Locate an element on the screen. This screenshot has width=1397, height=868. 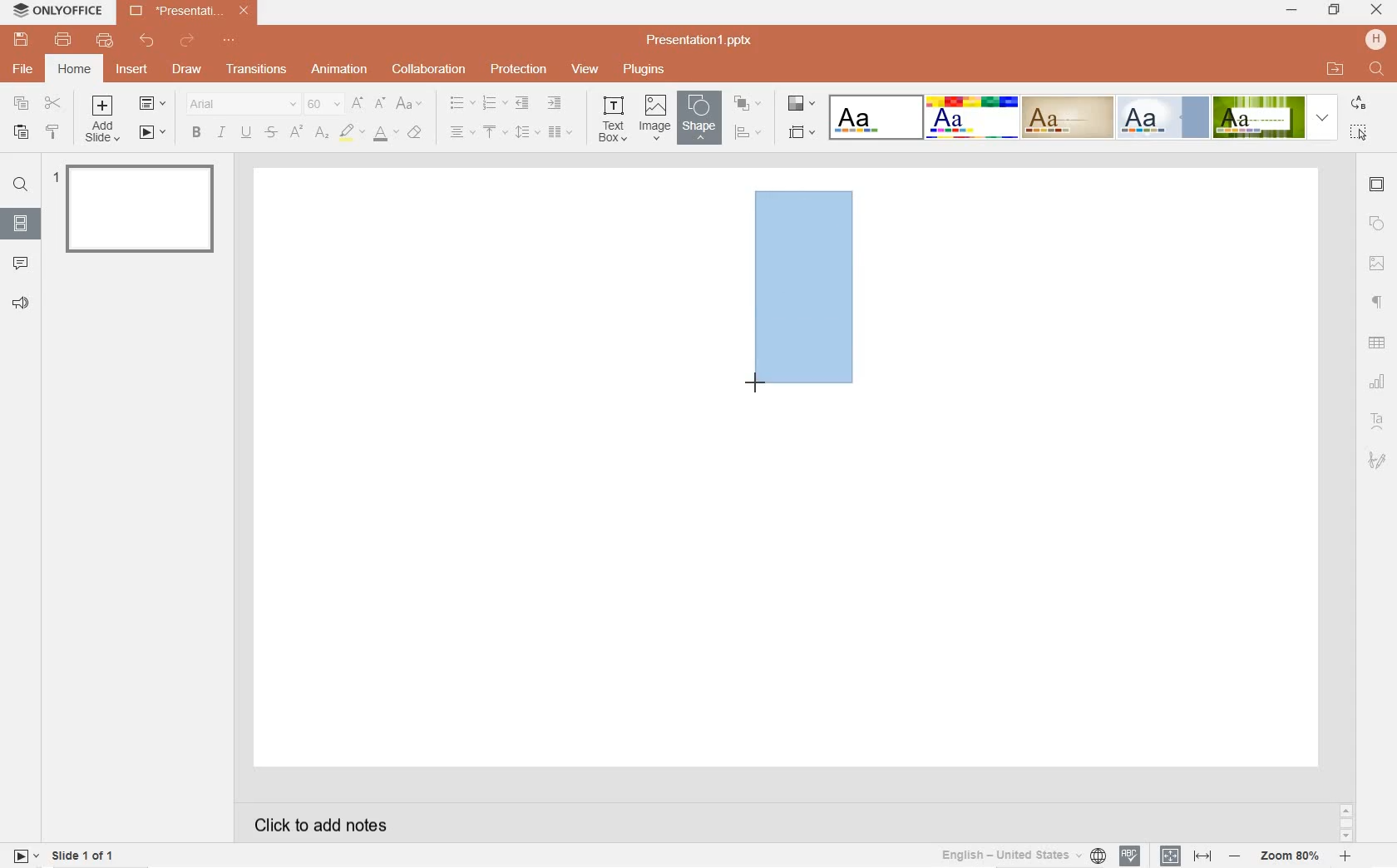
Blank is located at coordinates (876, 116).